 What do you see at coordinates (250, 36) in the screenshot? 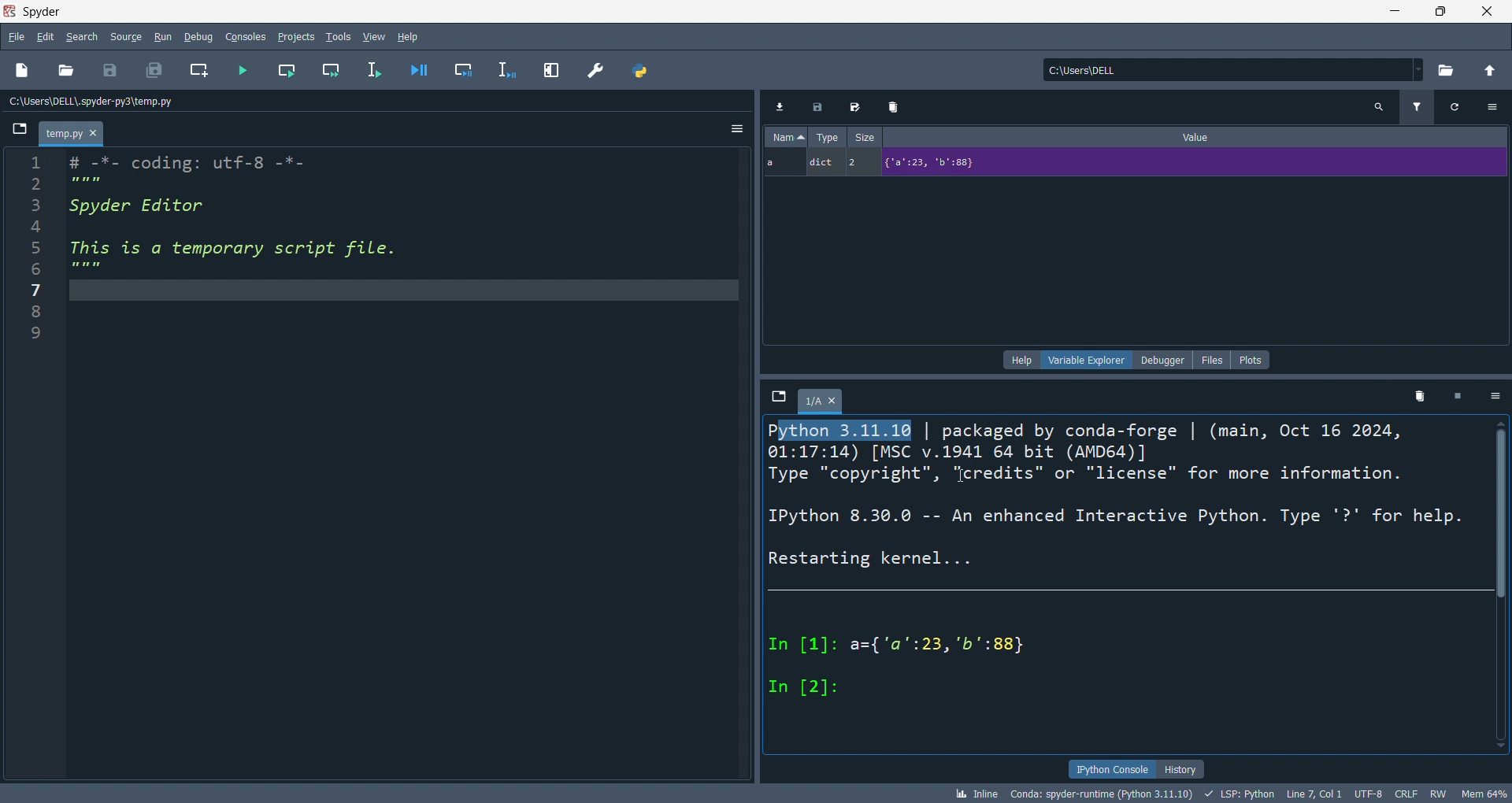
I see `consoles` at bounding box center [250, 36].